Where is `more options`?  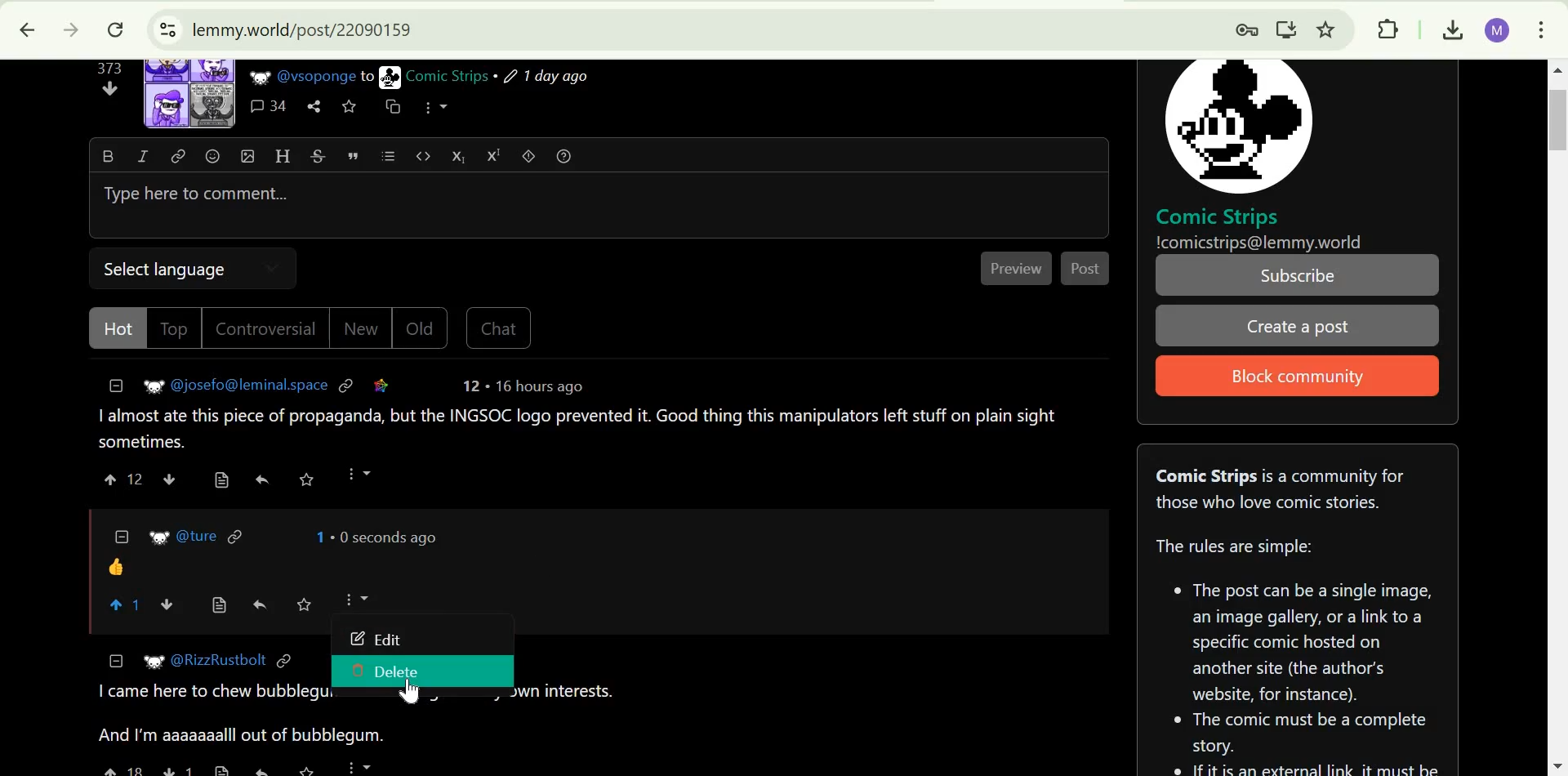 more options is located at coordinates (356, 599).